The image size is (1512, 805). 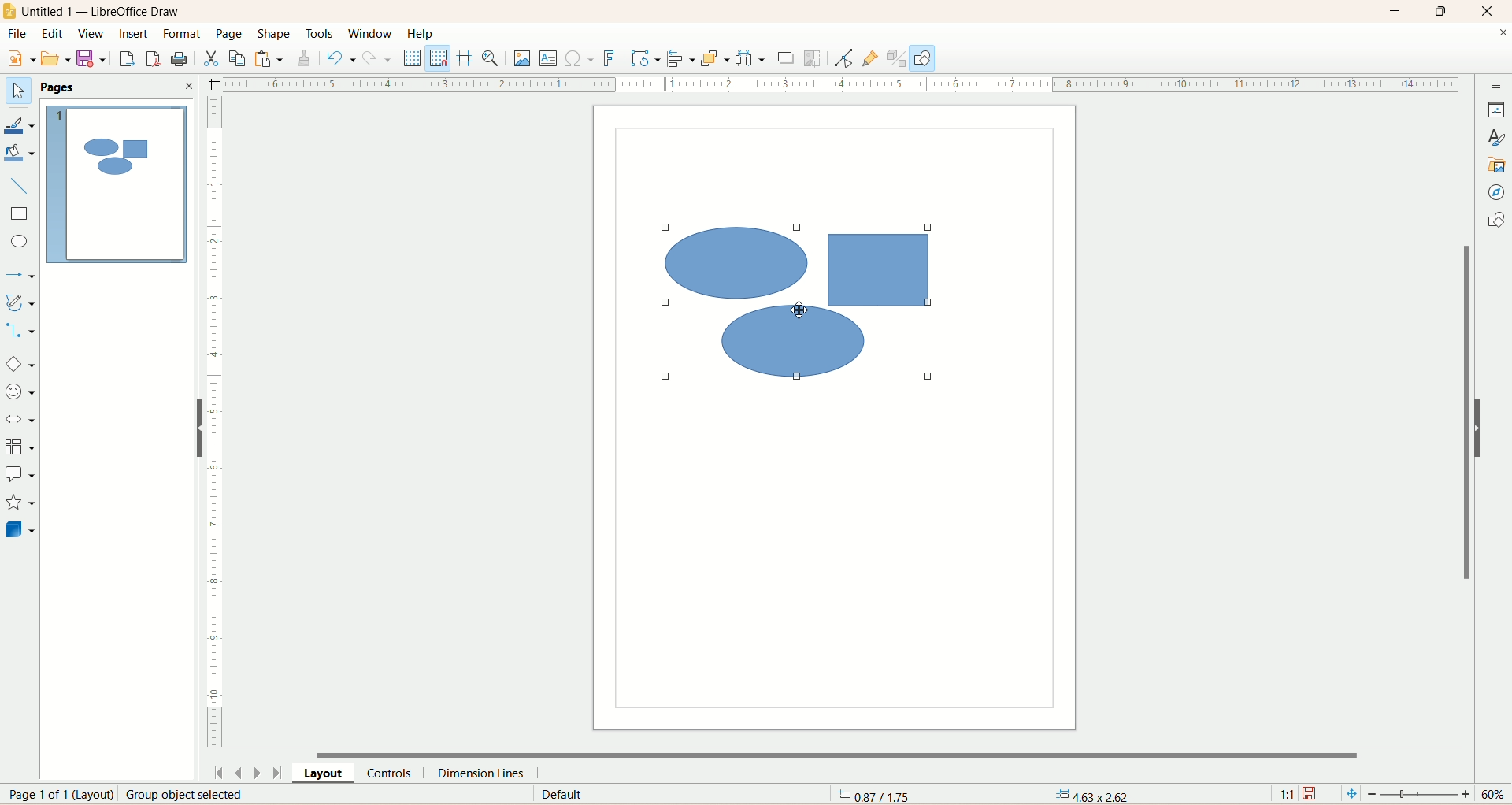 I want to click on zoom and pan, so click(x=493, y=58).